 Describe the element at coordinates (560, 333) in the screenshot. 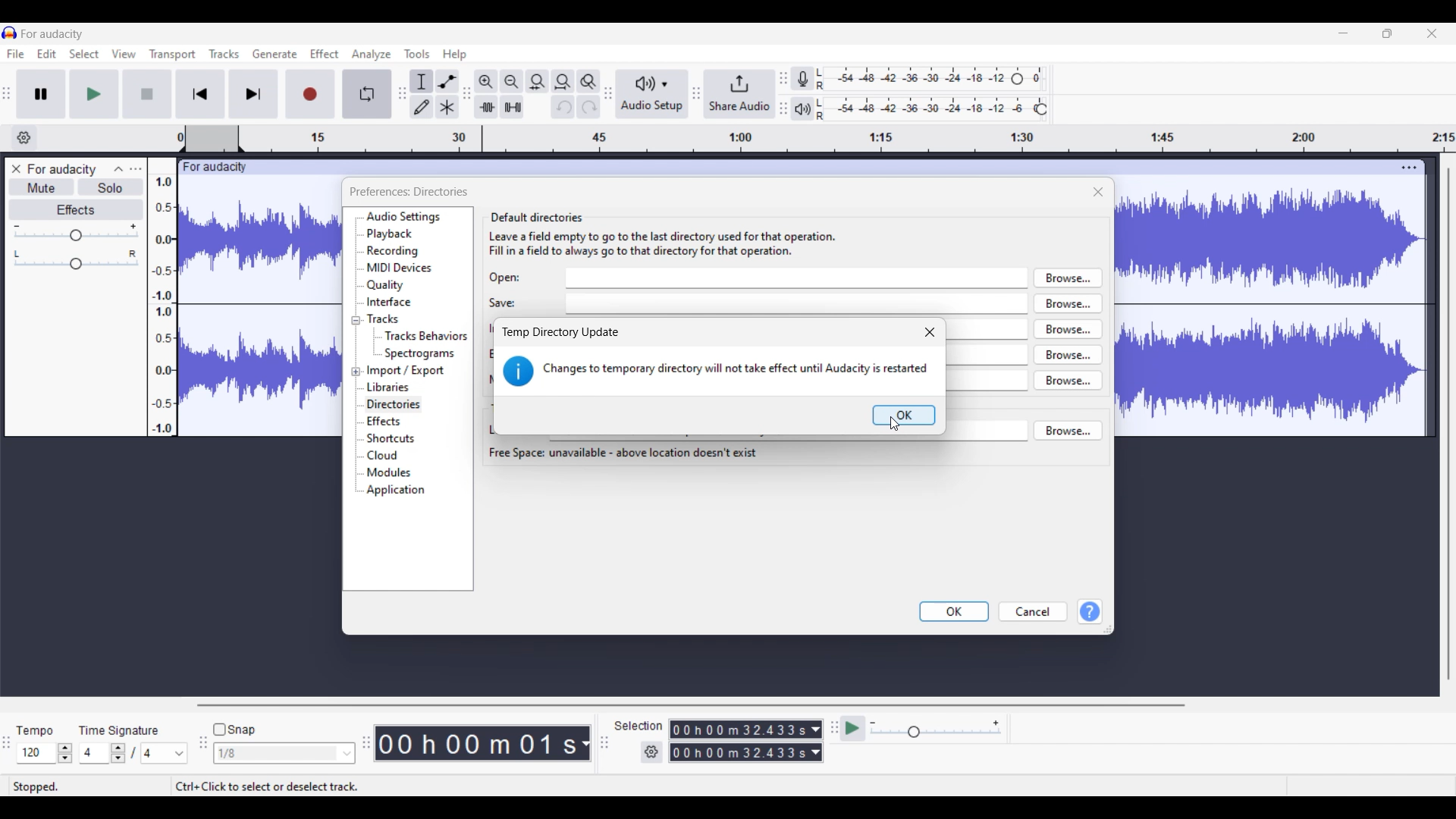

I see `temp directory update` at that location.